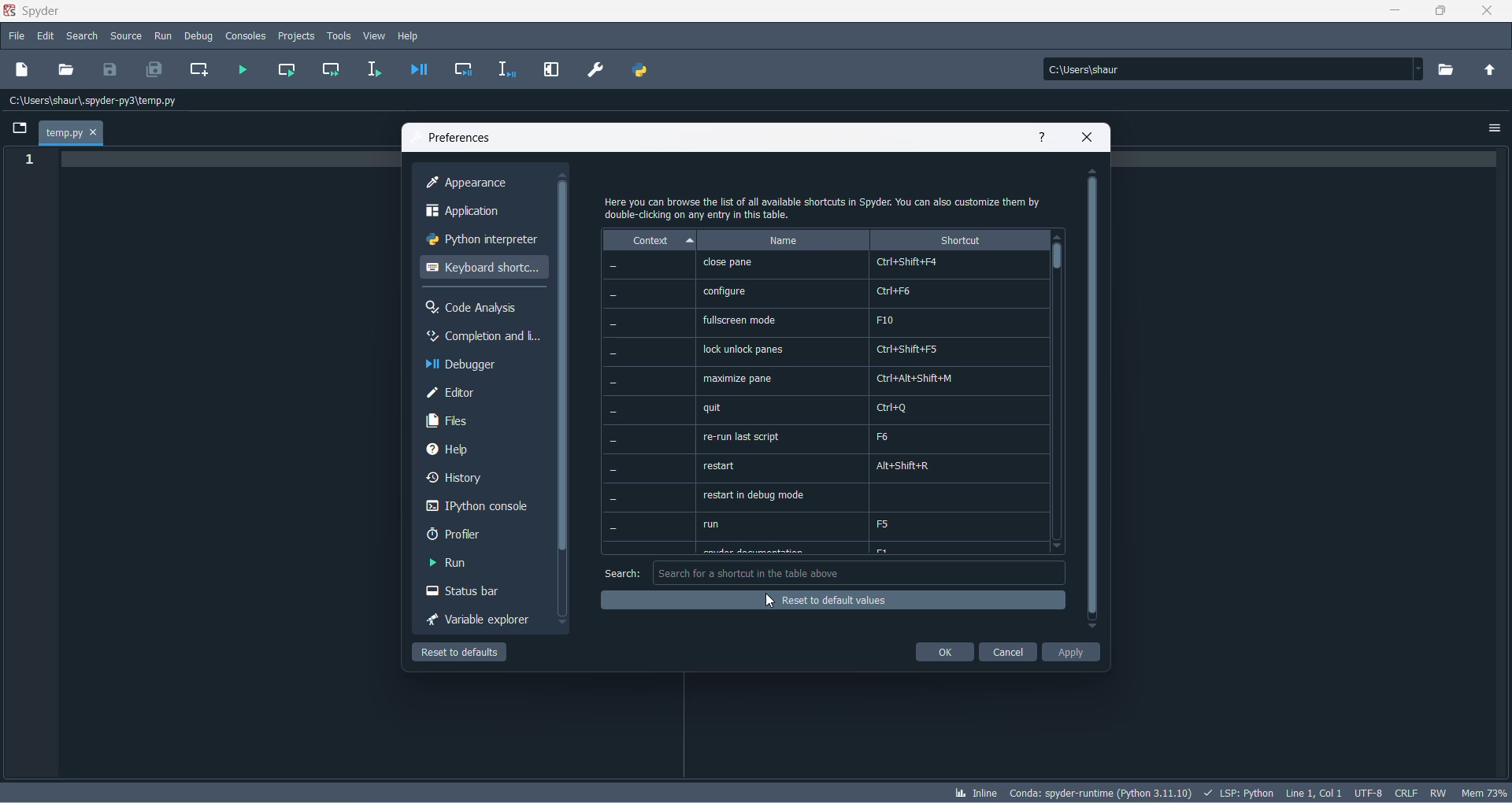 This screenshot has width=1512, height=803. What do you see at coordinates (458, 653) in the screenshot?
I see `reset to defaul` at bounding box center [458, 653].